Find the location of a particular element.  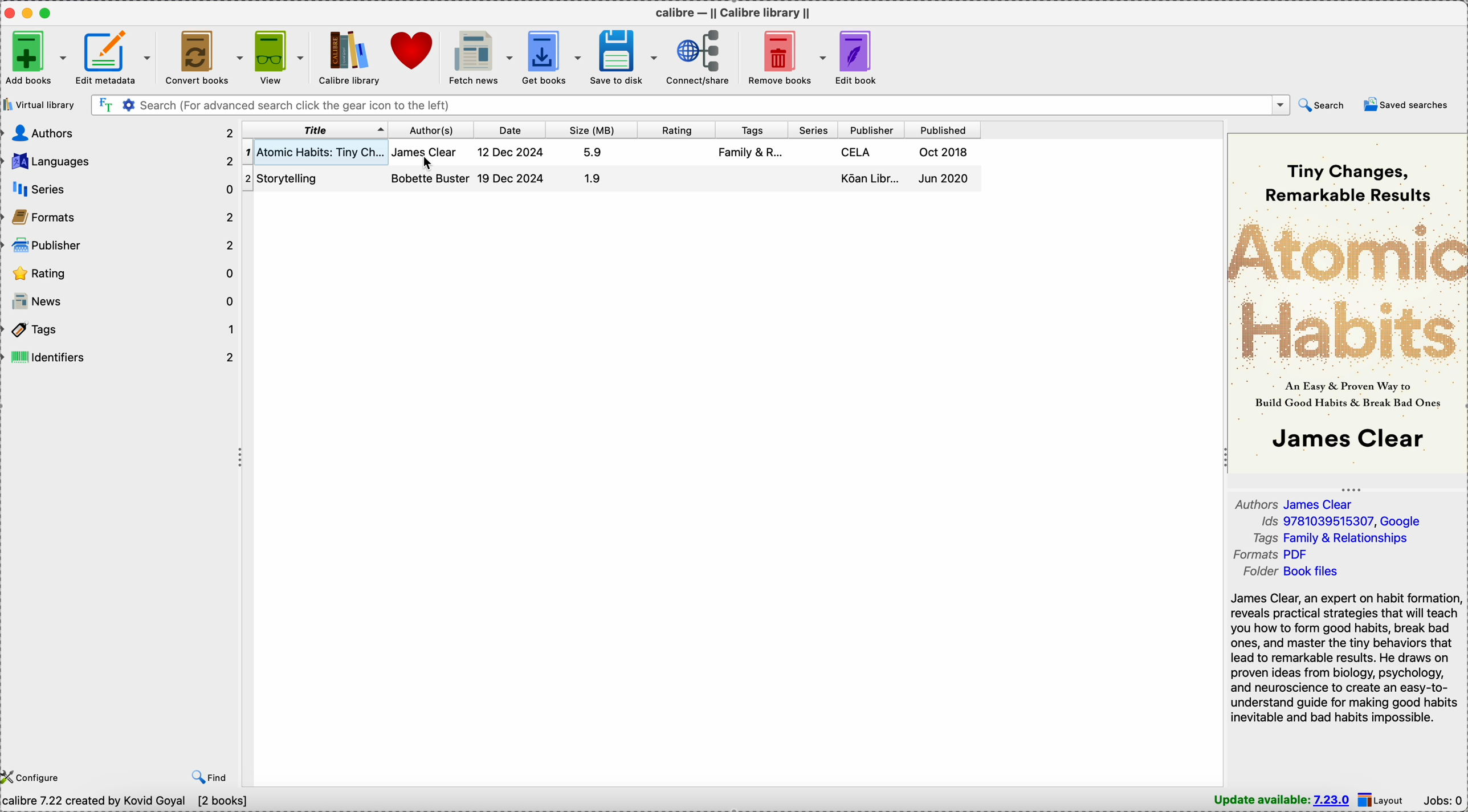

save to disk is located at coordinates (622, 57).